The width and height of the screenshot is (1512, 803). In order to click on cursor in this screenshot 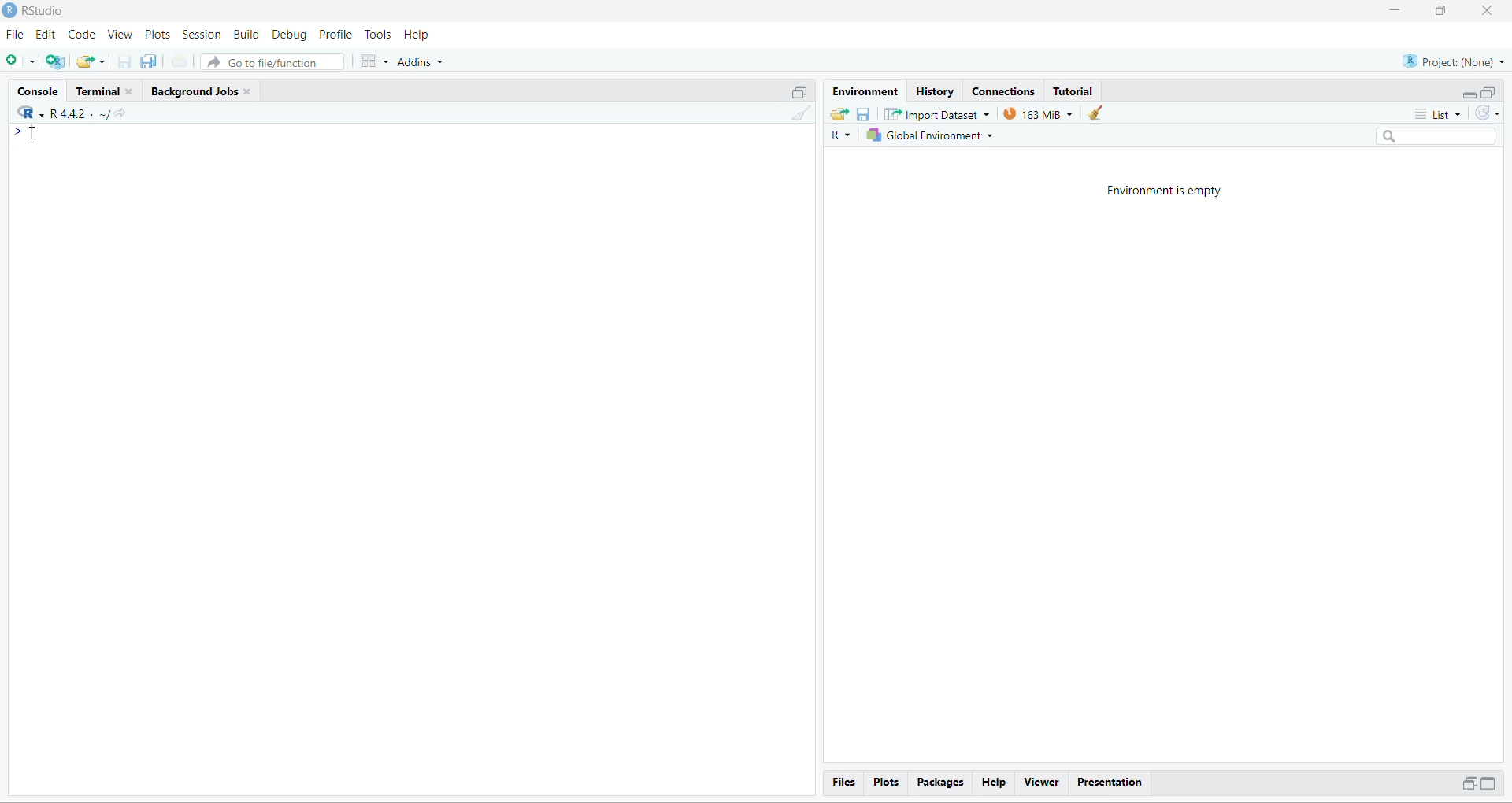, I will do `click(31, 133)`.